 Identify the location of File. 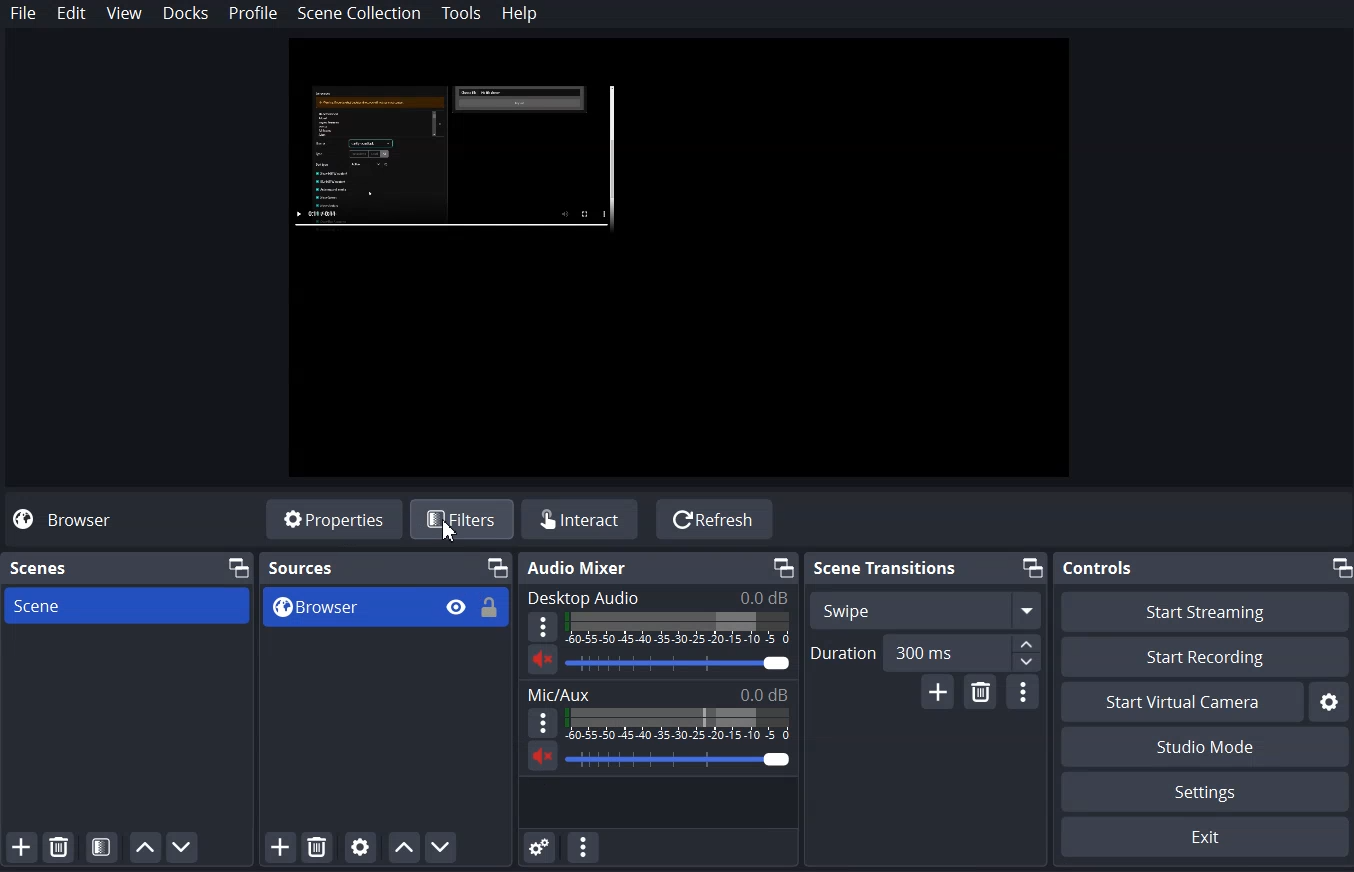
(23, 13).